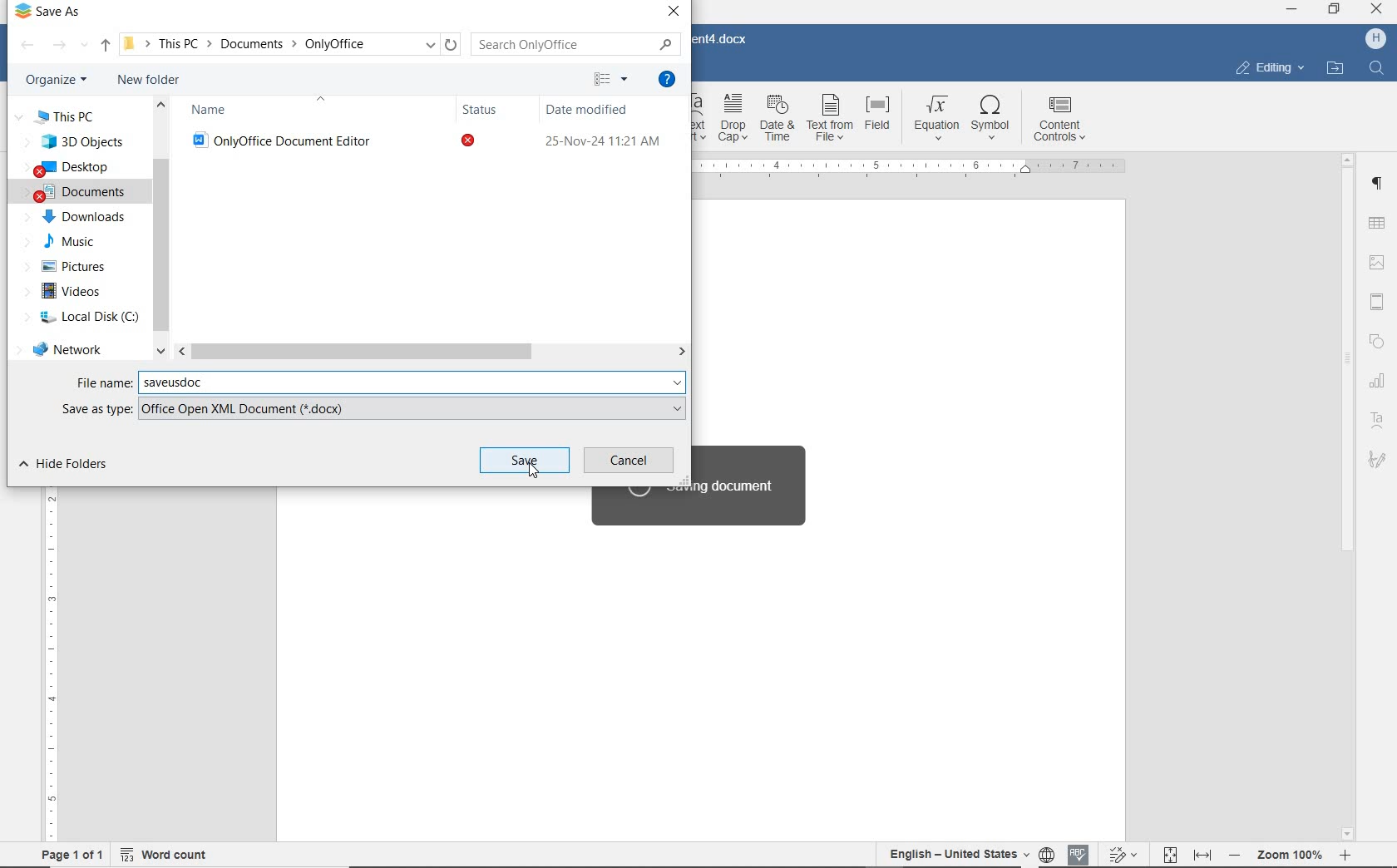 The height and width of the screenshot is (868, 1397). What do you see at coordinates (164, 856) in the screenshot?
I see `word count` at bounding box center [164, 856].